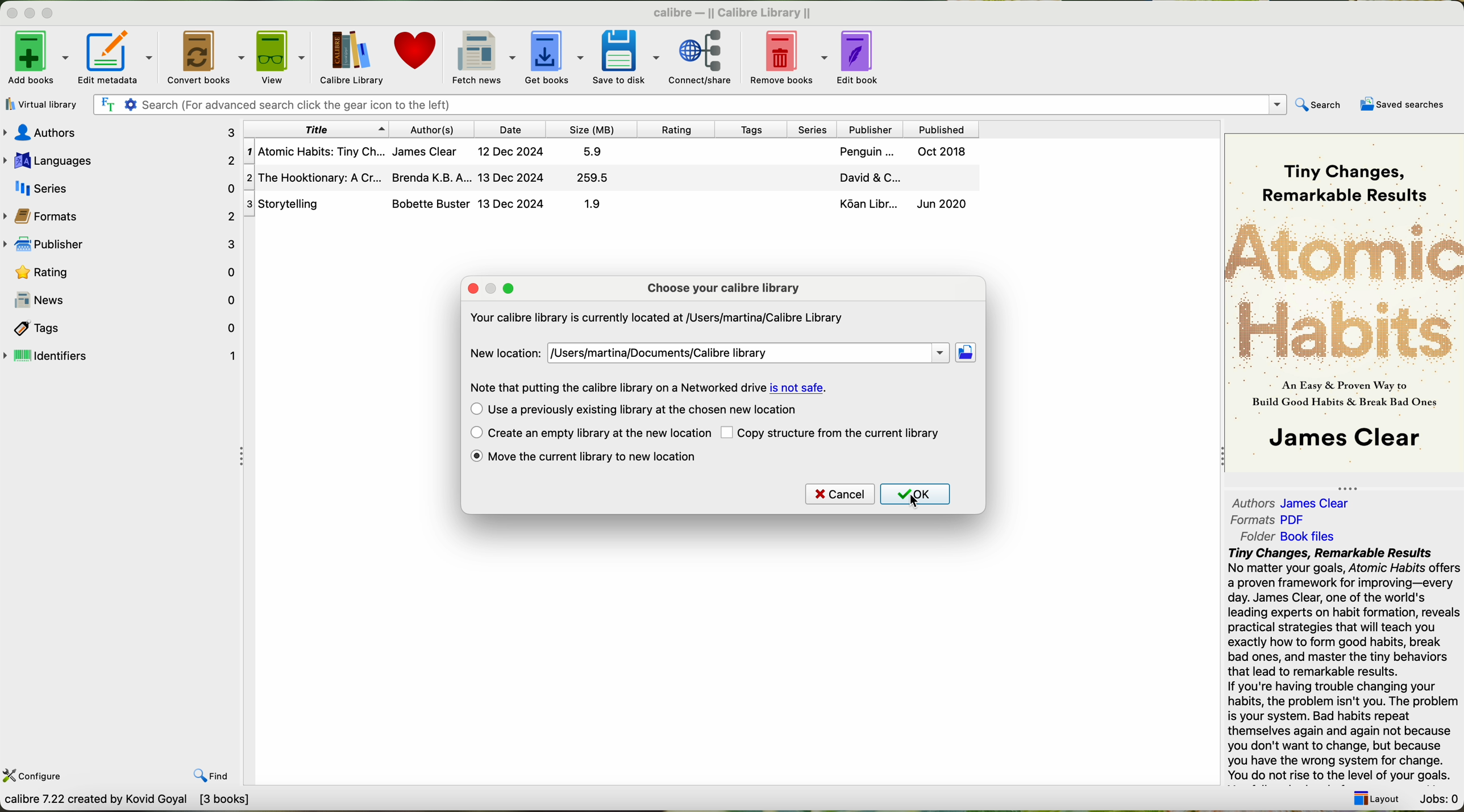  What do you see at coordinates (1341, 440) in the screenshot?
I see `James Clear` at bounding box center [1341, 440].